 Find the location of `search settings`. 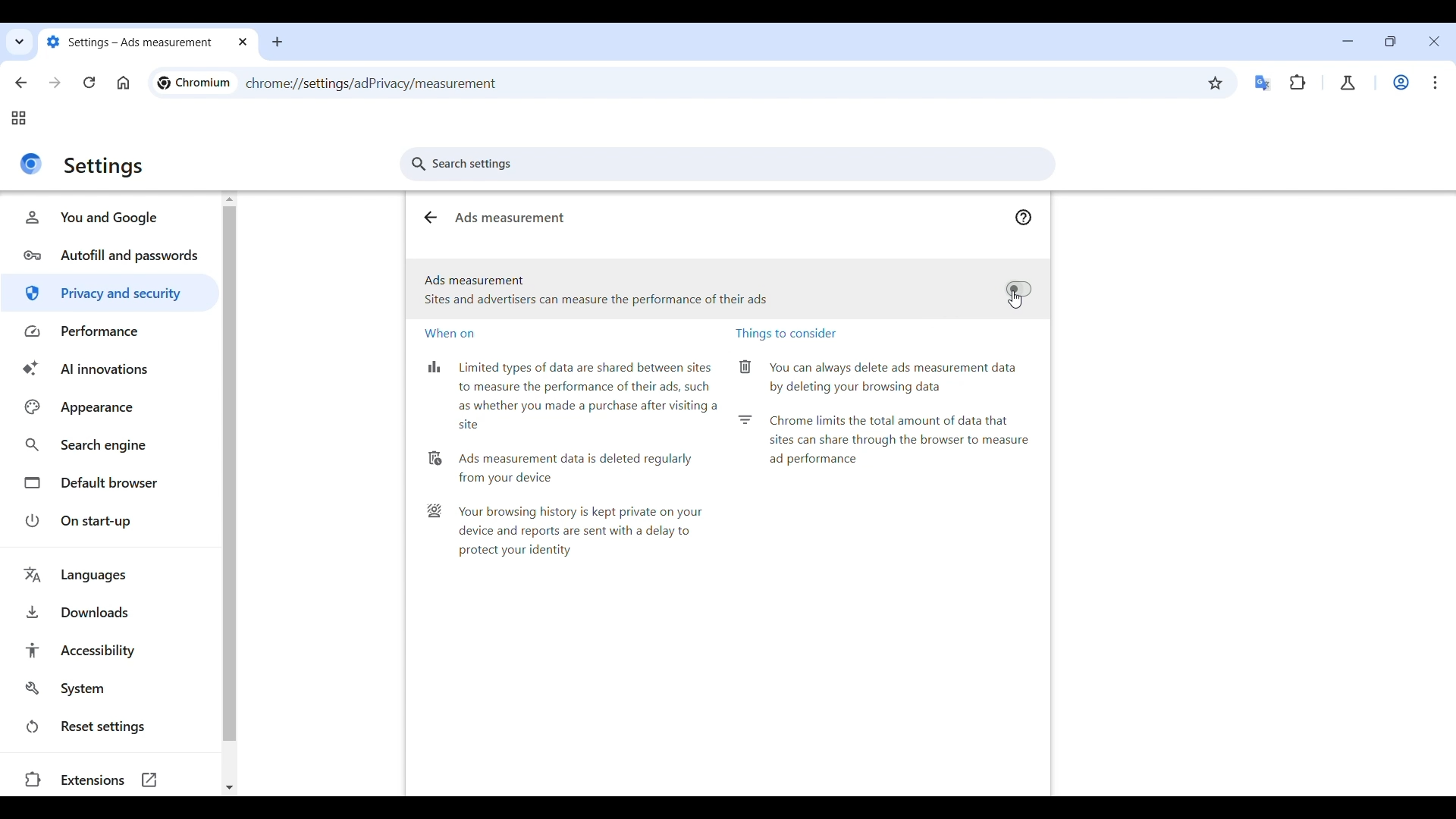

search settings is located at coordinates (734, 167).